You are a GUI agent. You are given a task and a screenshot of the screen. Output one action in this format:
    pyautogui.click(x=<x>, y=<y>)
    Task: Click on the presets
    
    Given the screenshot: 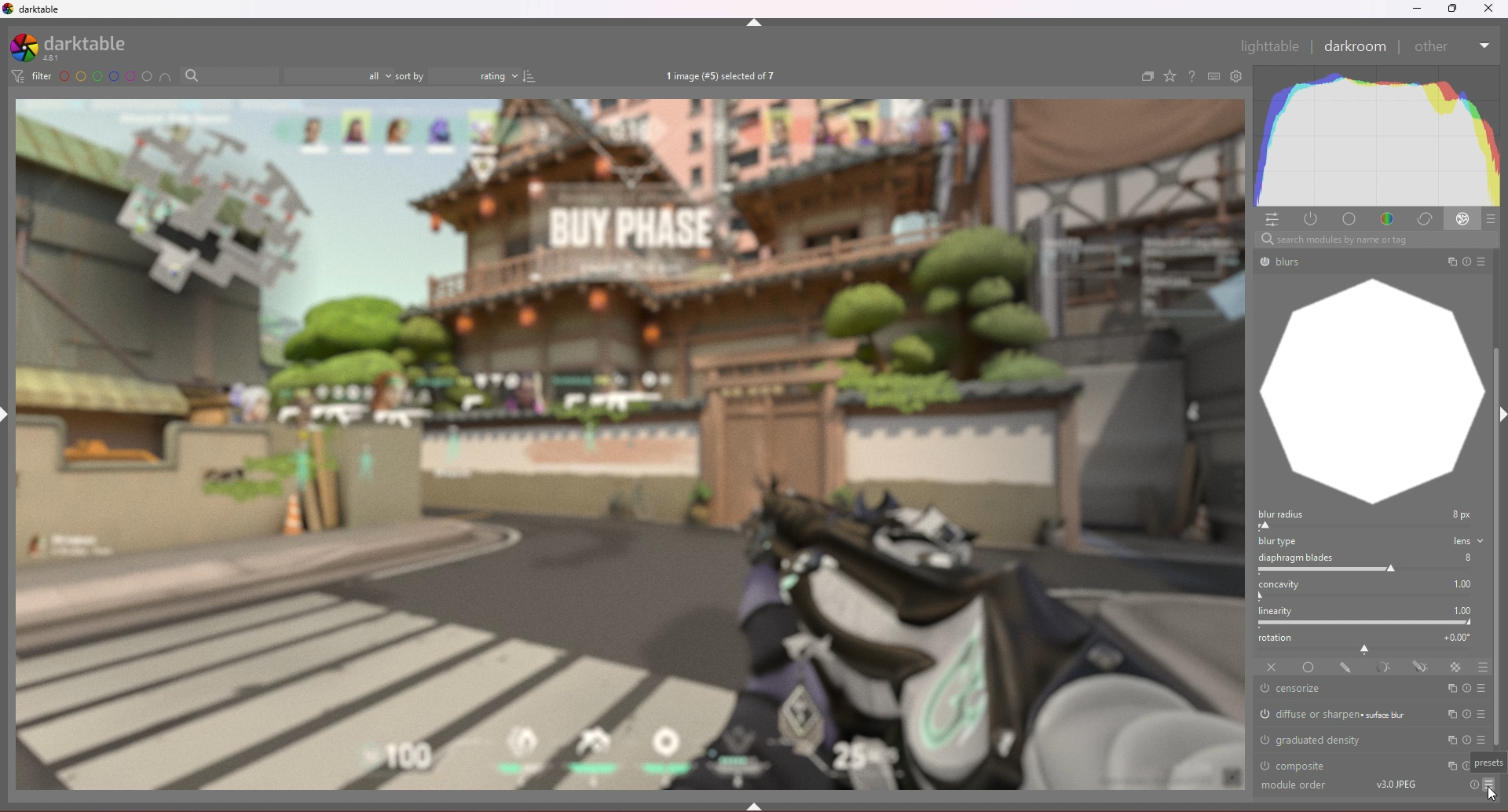 What is the action you would take?
    pyautogui.click(x=1482, y=689)
    